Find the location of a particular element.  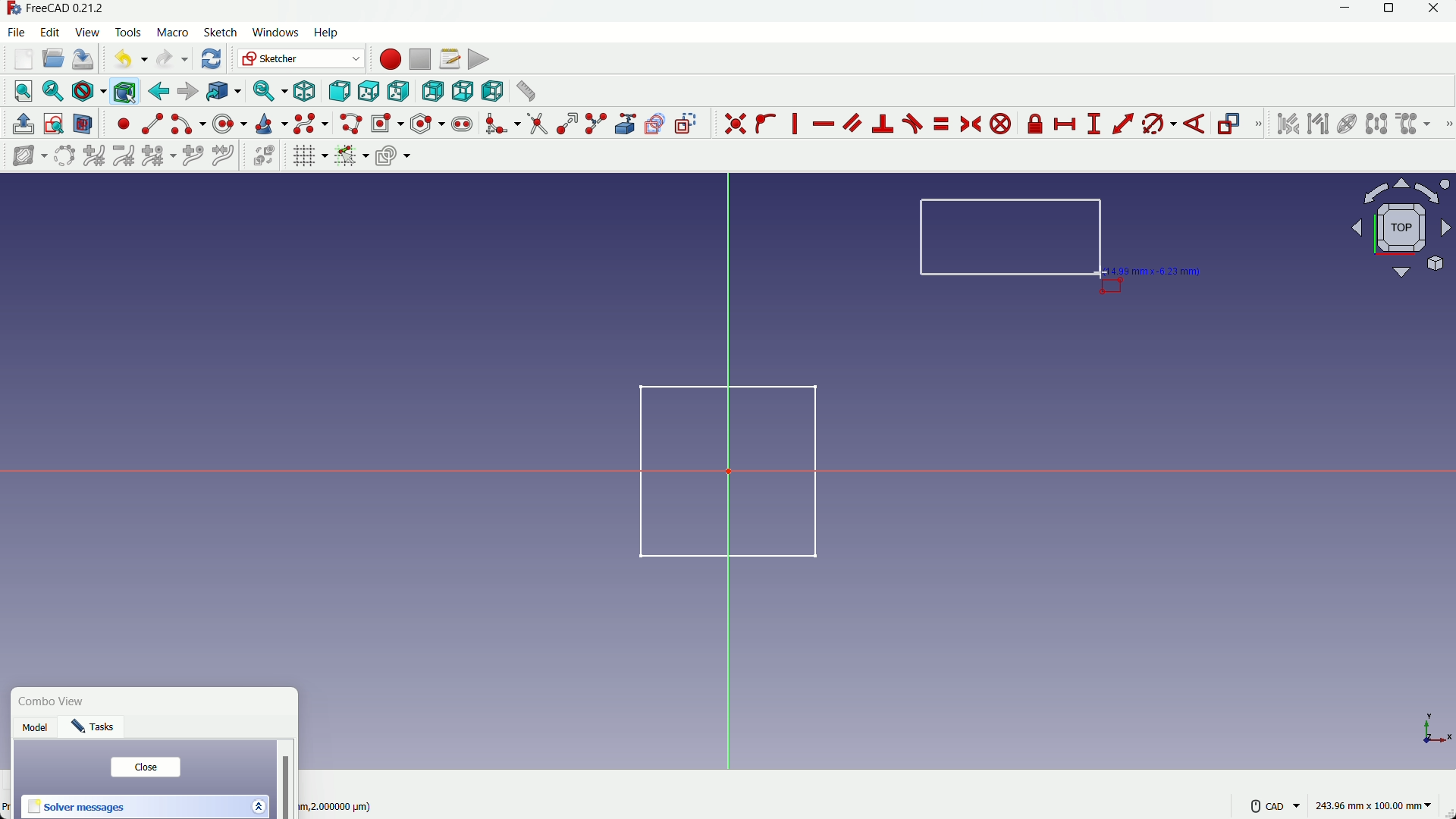

constraint block is located at coordinates (1003, 124).